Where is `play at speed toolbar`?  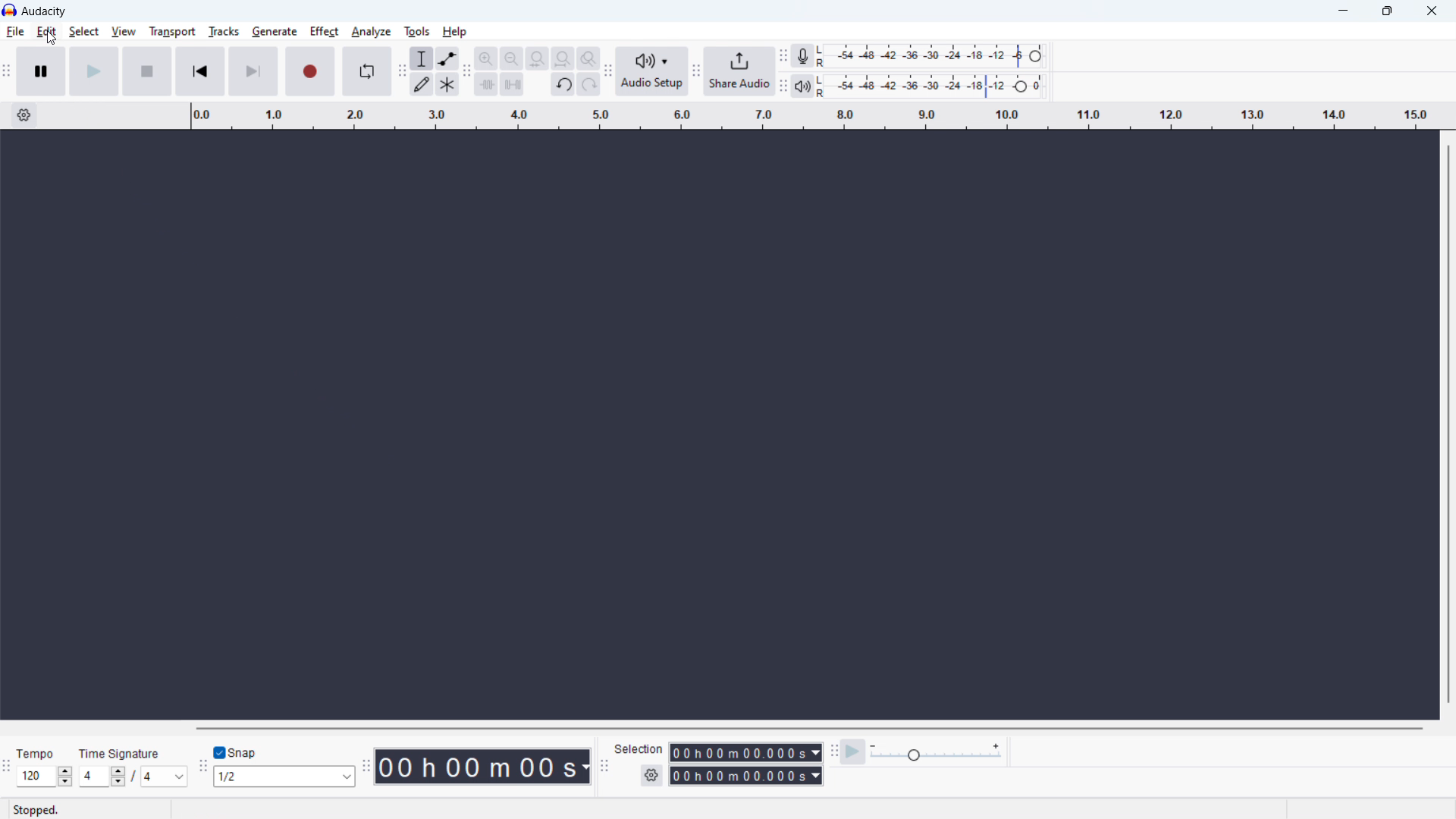 play at speed toolbar is located at coordinates (833, 752).